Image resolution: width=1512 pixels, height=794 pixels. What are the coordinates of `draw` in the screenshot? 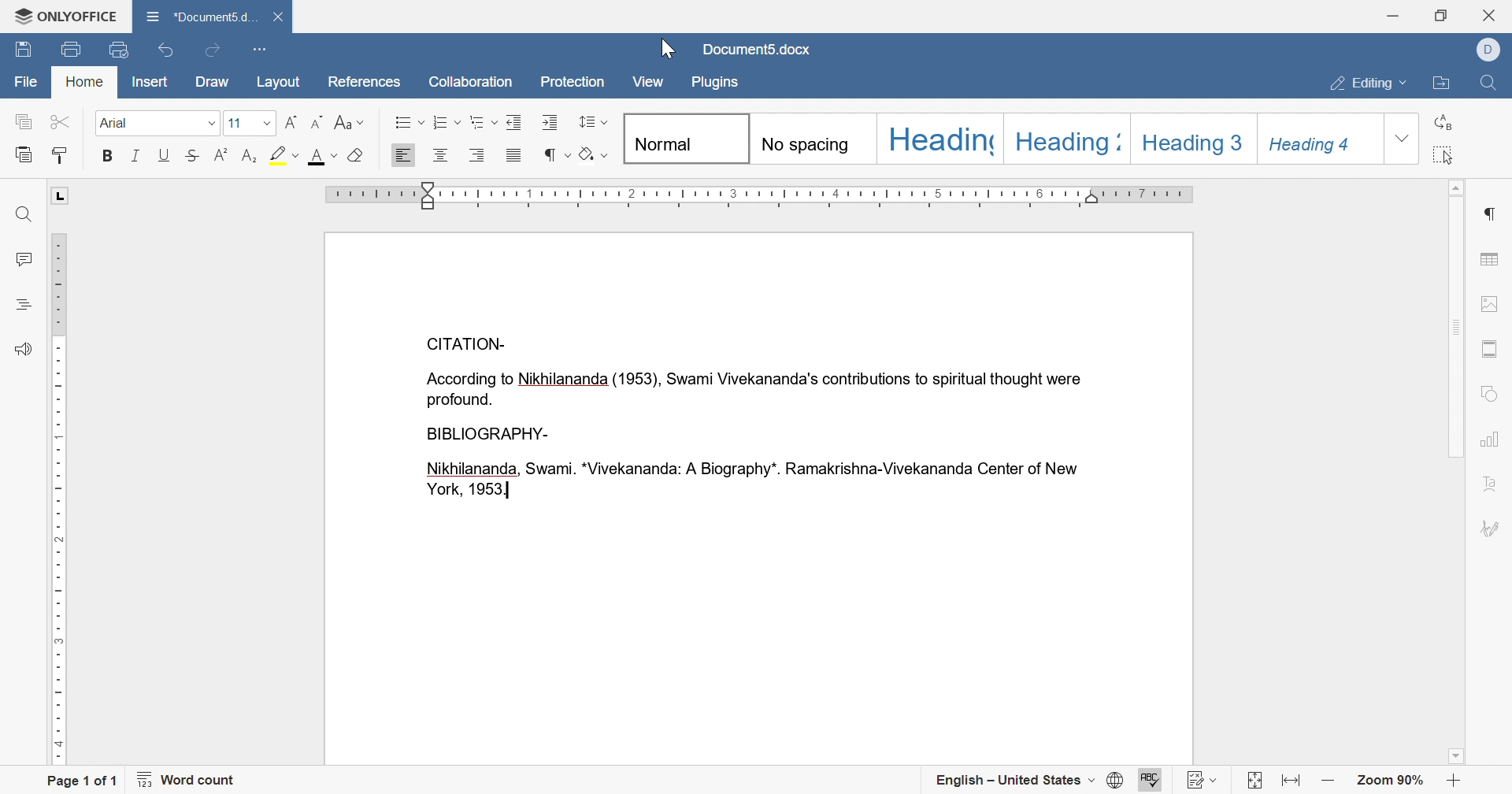 It's located at (211, 80).